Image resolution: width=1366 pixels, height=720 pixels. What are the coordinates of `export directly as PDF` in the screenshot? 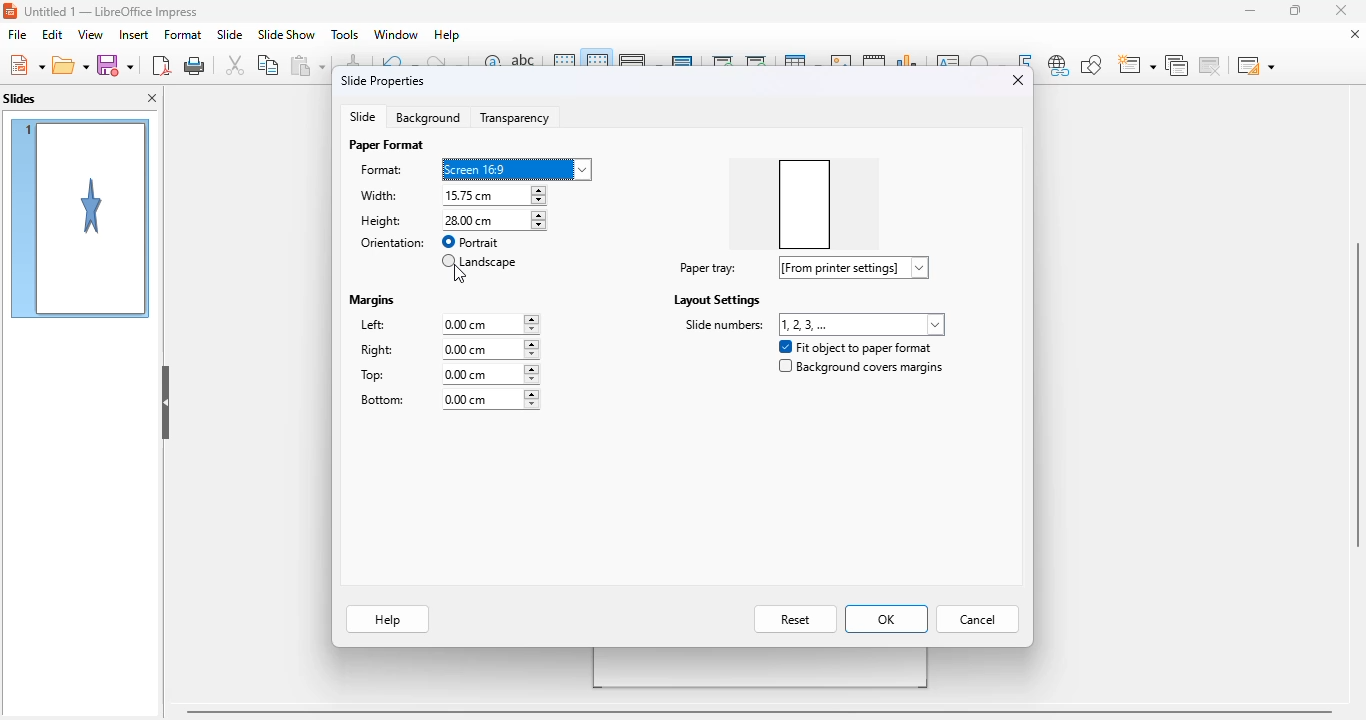 It's located at (161, 64).